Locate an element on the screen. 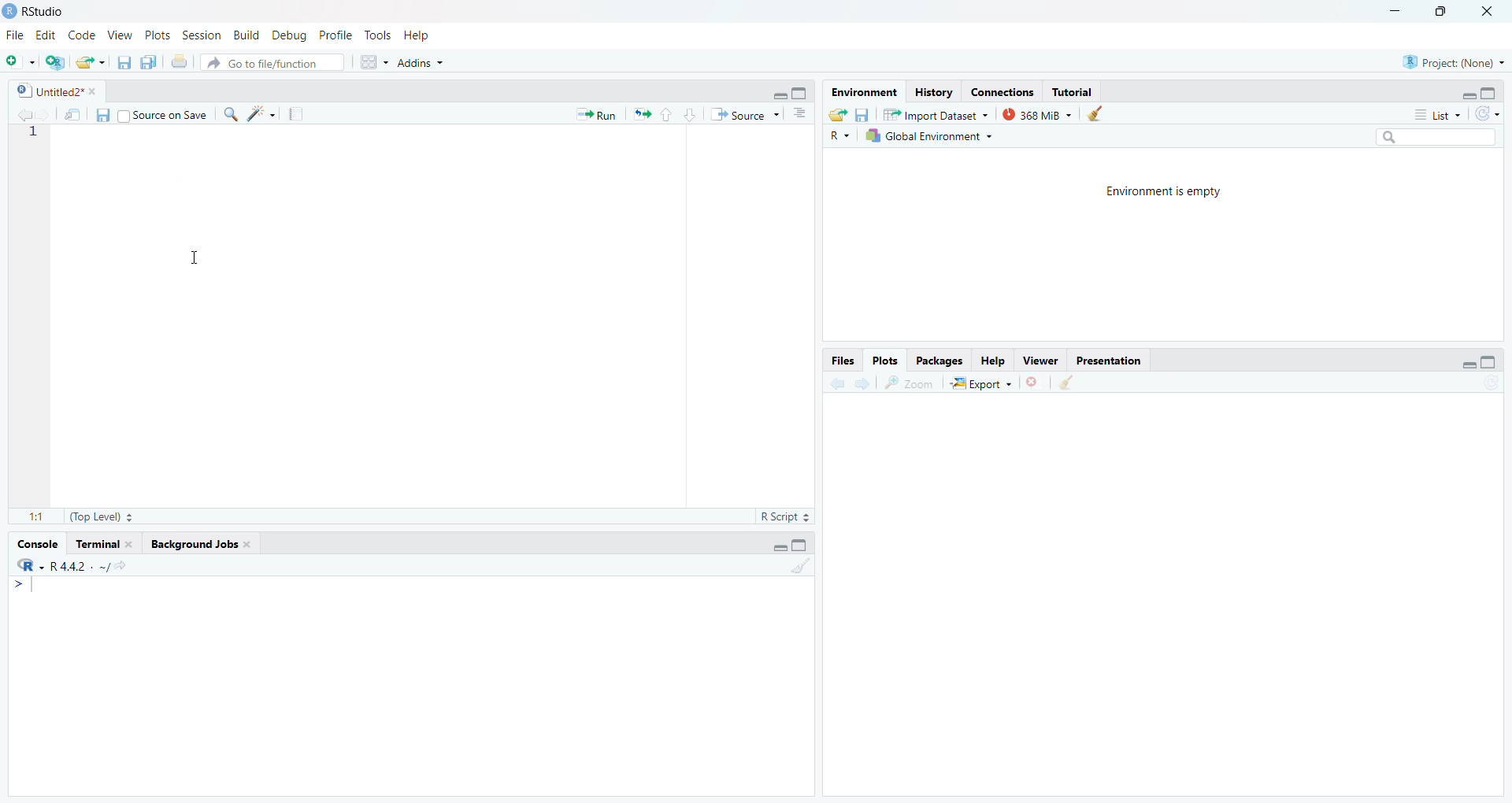 This screenshot has height=803, width=1512. search is located at coordinates (1435, 136).